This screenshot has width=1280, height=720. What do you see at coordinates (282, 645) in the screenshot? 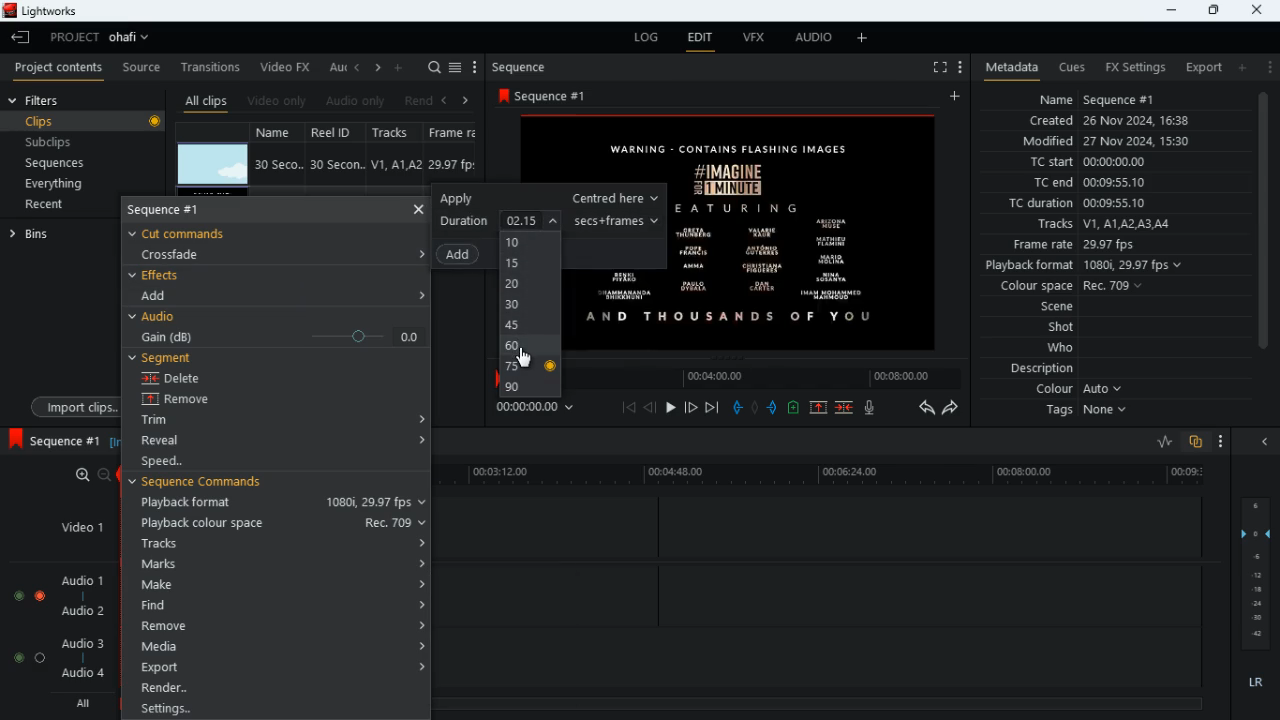
I see `media` at bounding box center [282, 645].